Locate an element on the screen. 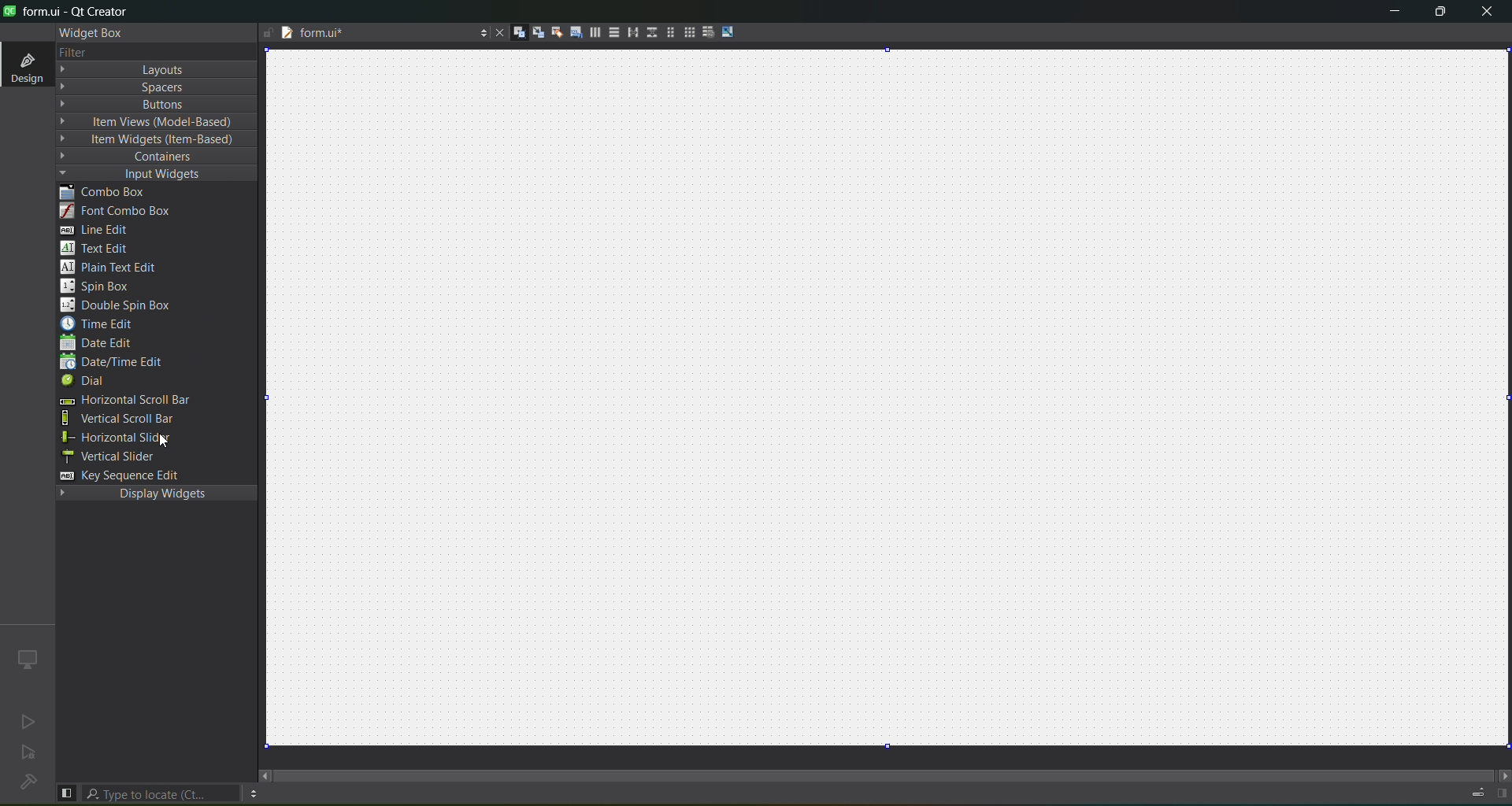 This screenshot has height=806, width=1512. move right is located at coordinates (1502, 773).